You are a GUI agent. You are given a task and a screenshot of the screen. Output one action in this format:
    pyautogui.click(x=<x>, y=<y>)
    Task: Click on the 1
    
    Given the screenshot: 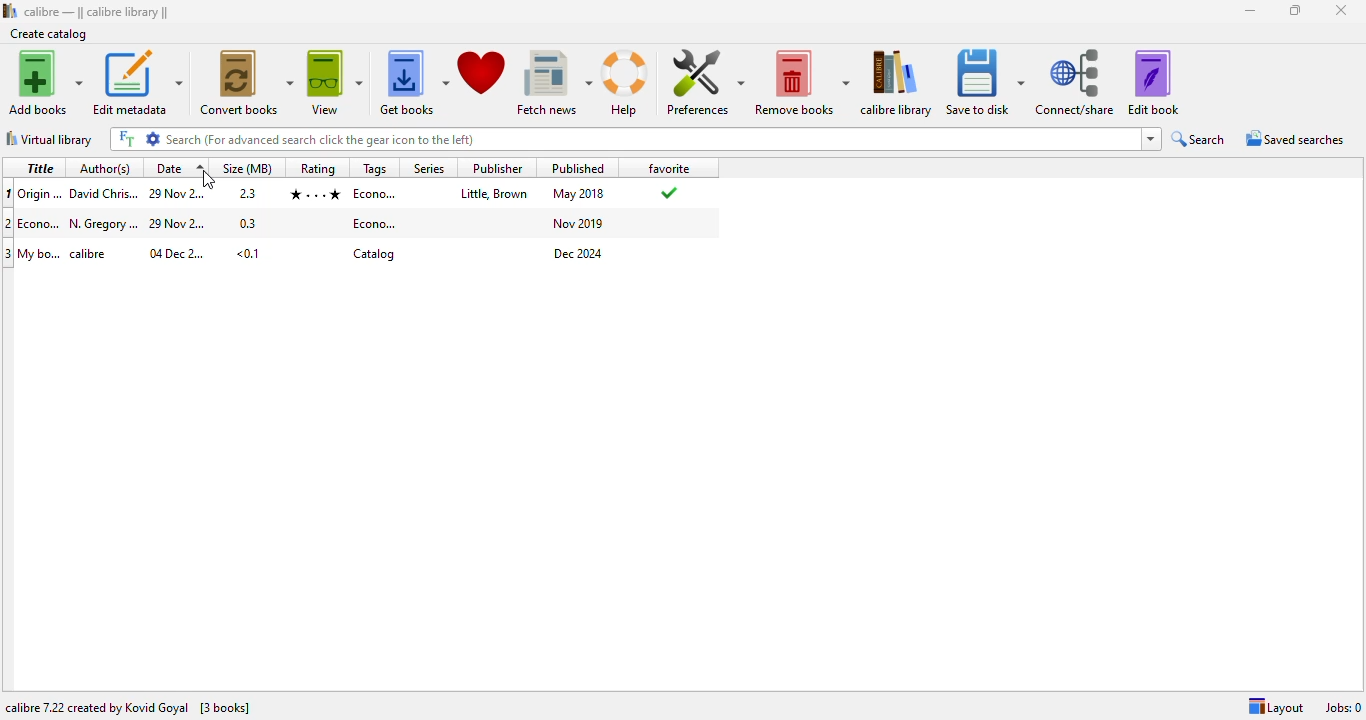 What is the action you would take?
    pyautogui.click(x=9, y=192)
    